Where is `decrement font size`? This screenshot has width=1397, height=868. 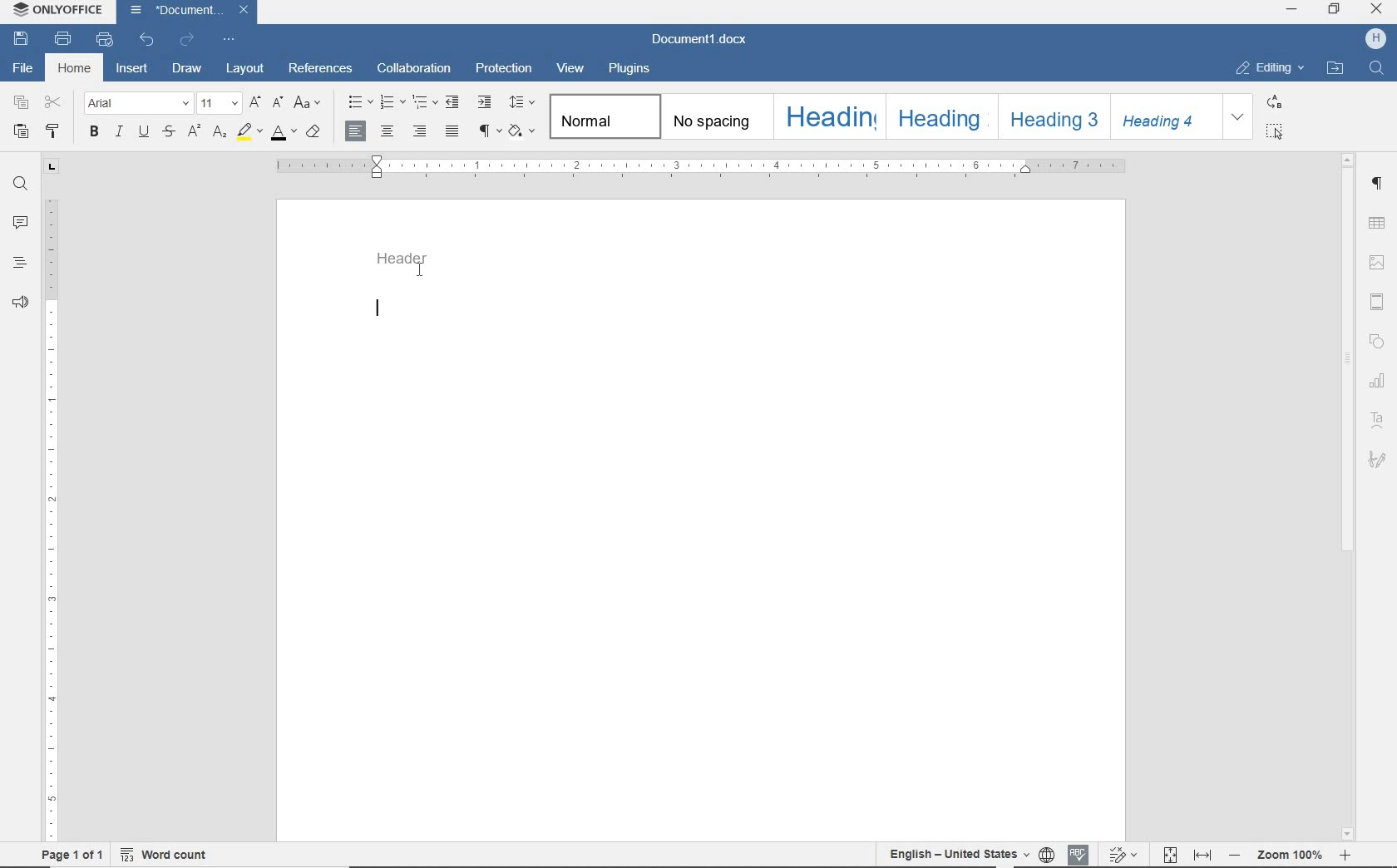
decrement font size is located at coordinates (277, 103).